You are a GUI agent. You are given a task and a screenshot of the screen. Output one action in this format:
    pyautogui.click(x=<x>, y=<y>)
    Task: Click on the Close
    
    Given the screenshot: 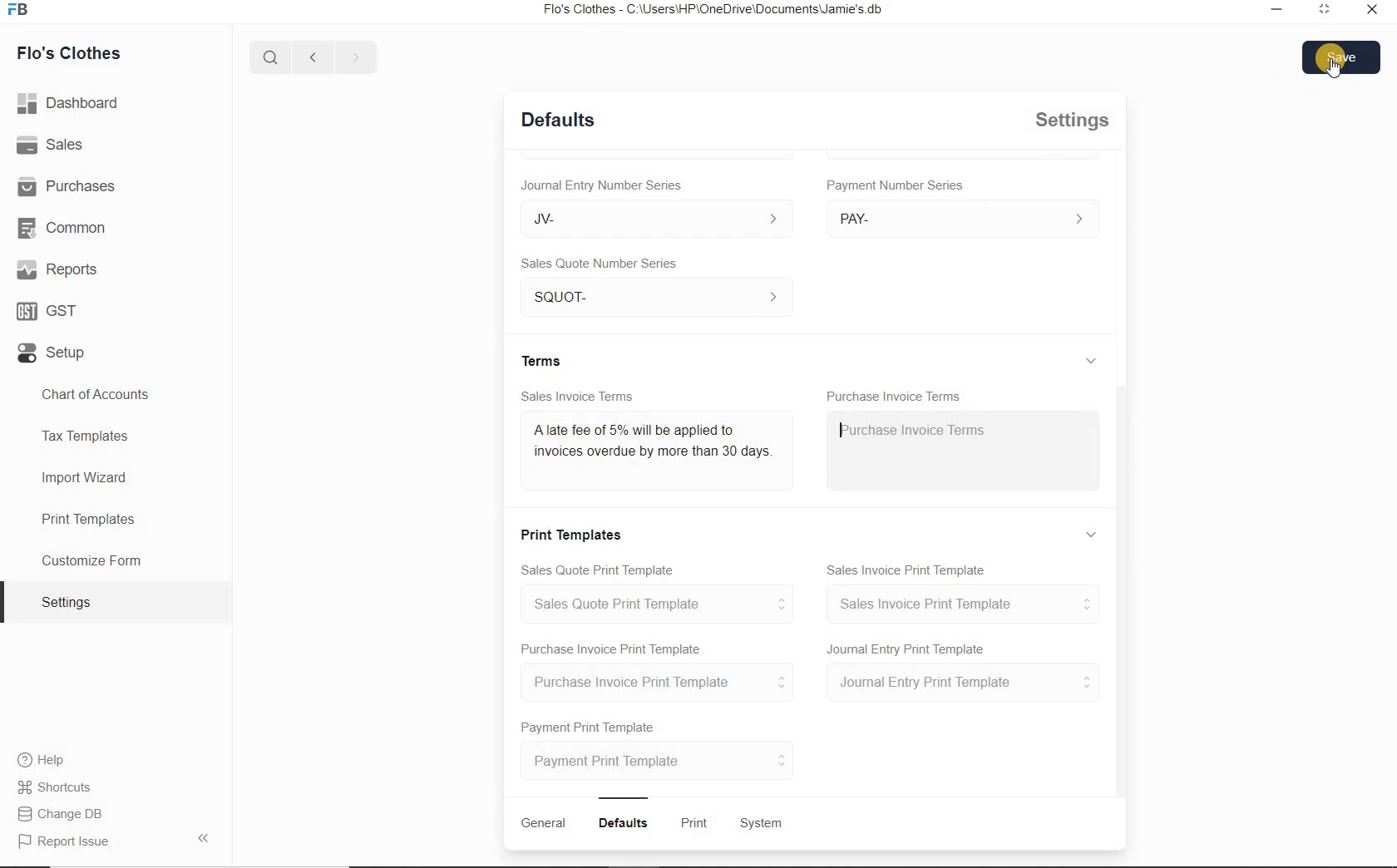 What is the action you would take?
    pyautogui.click(x=1370, y=11)
    